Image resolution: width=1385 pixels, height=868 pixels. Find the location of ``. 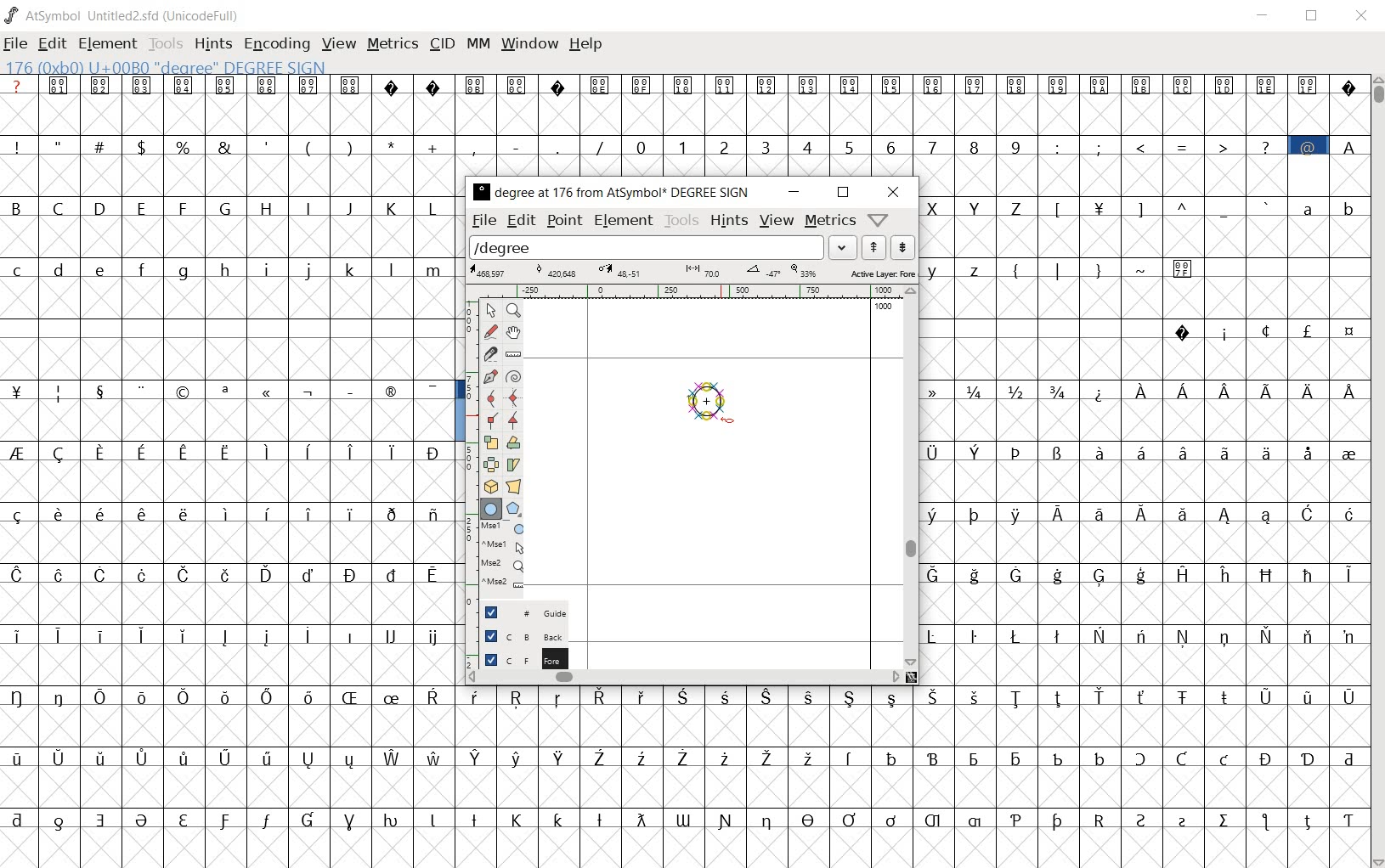

 is located at coordinates (224, 573).